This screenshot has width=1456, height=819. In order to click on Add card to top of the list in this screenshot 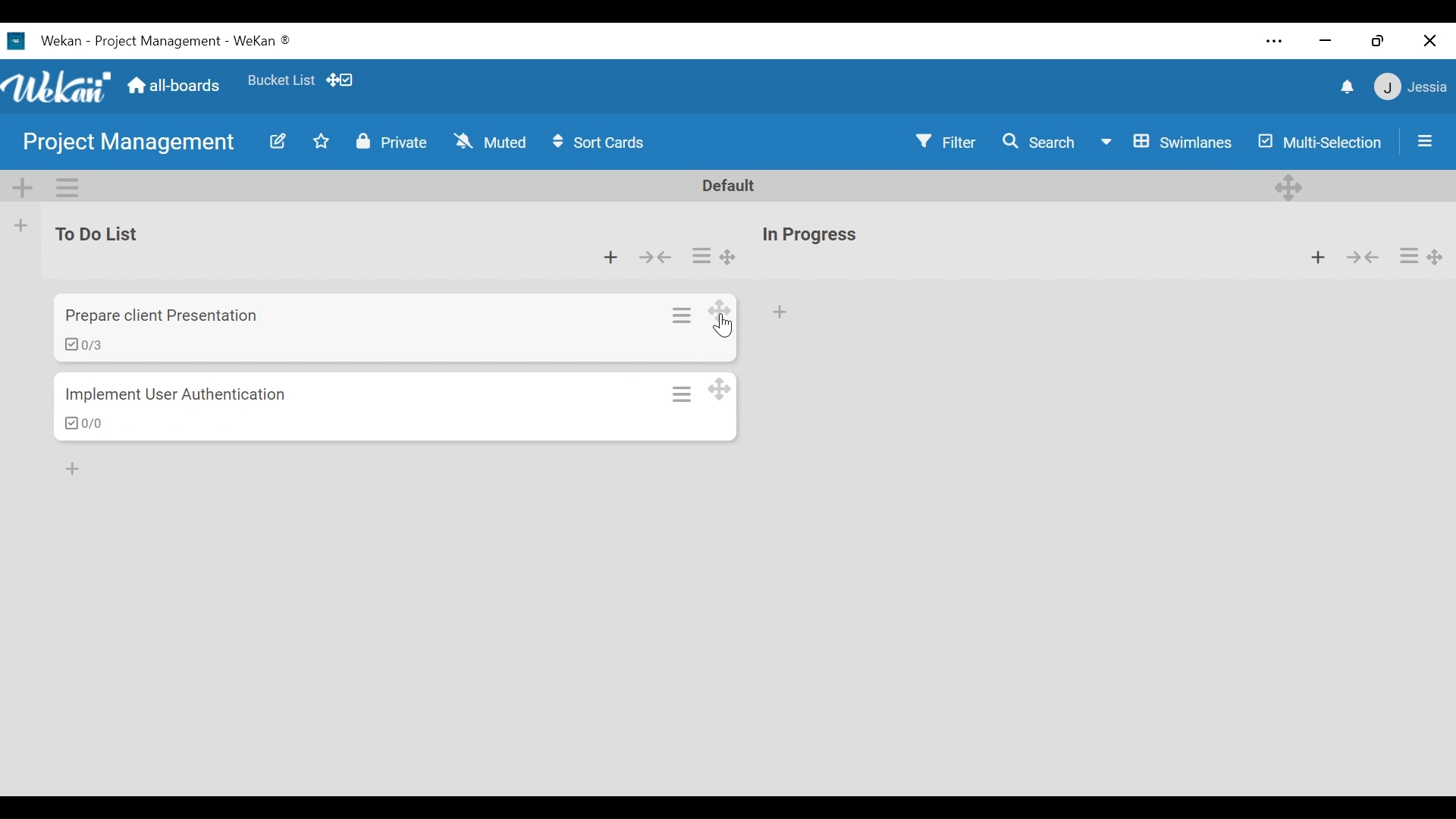, I will do `click(611, 257)`.